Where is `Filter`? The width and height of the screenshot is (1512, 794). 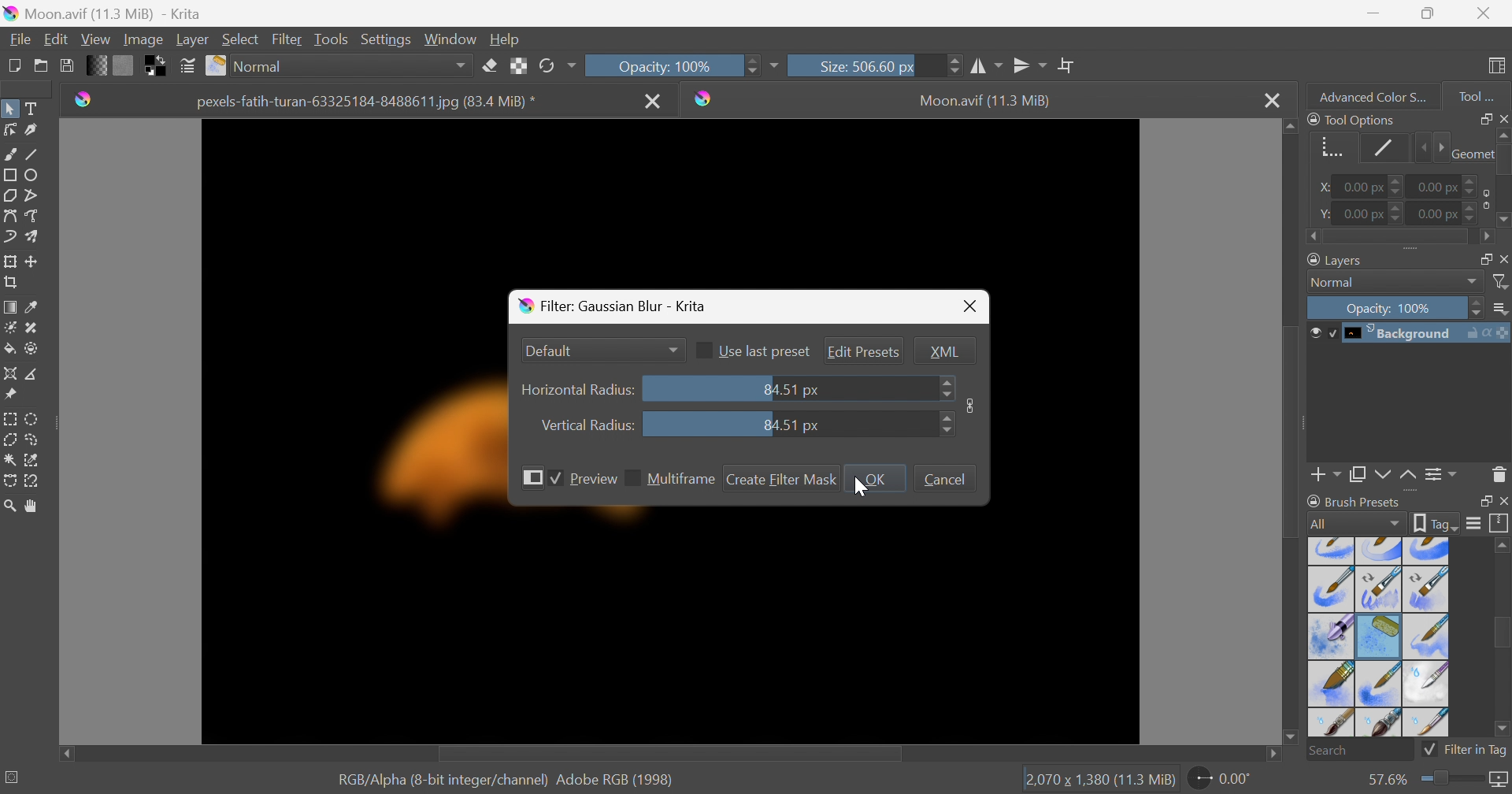 Filter is located at coordinates (288, 39).